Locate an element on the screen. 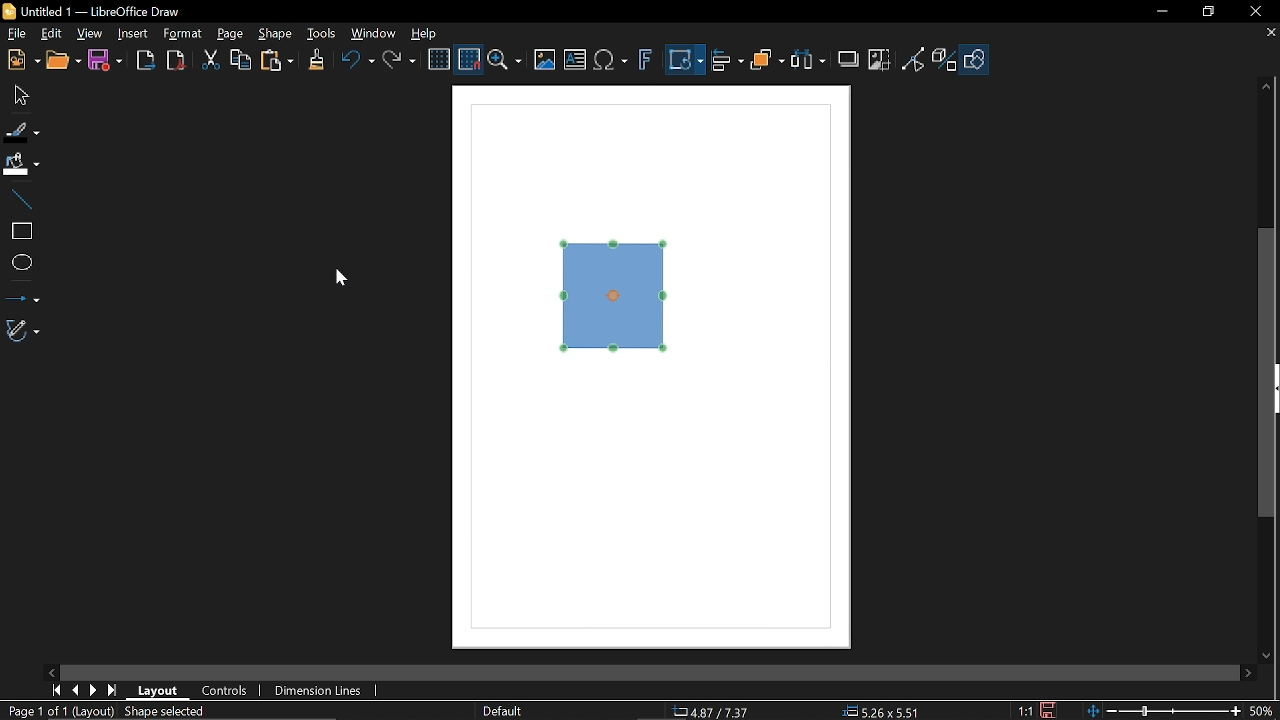 The width and height of the screenshot is (1280, 720). Page 1 of 1 (Layout) is located at coordinates (59, 711).